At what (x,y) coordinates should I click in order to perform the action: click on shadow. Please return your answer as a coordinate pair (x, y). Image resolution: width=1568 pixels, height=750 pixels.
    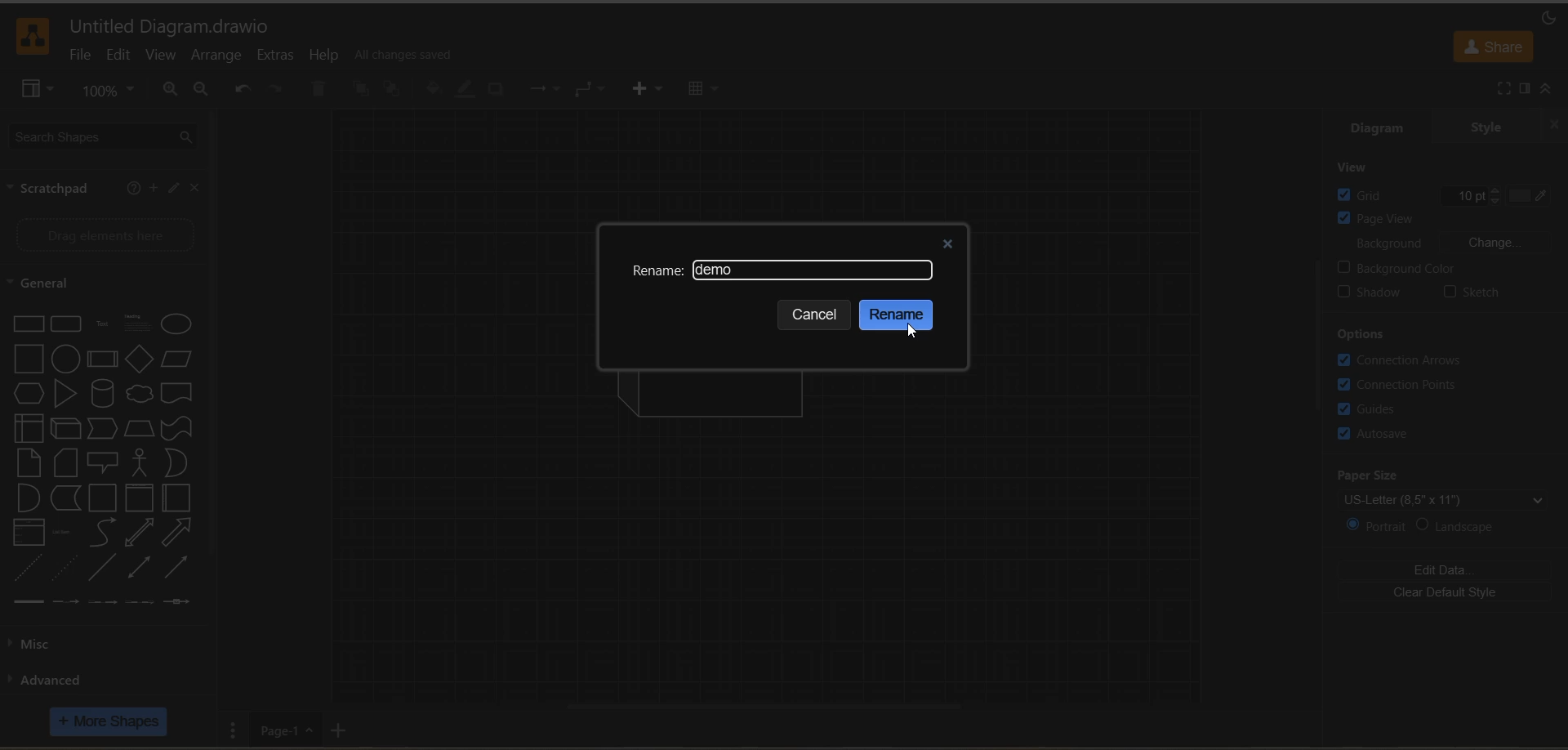
    Looking at the image, I should click on (1375, 291).